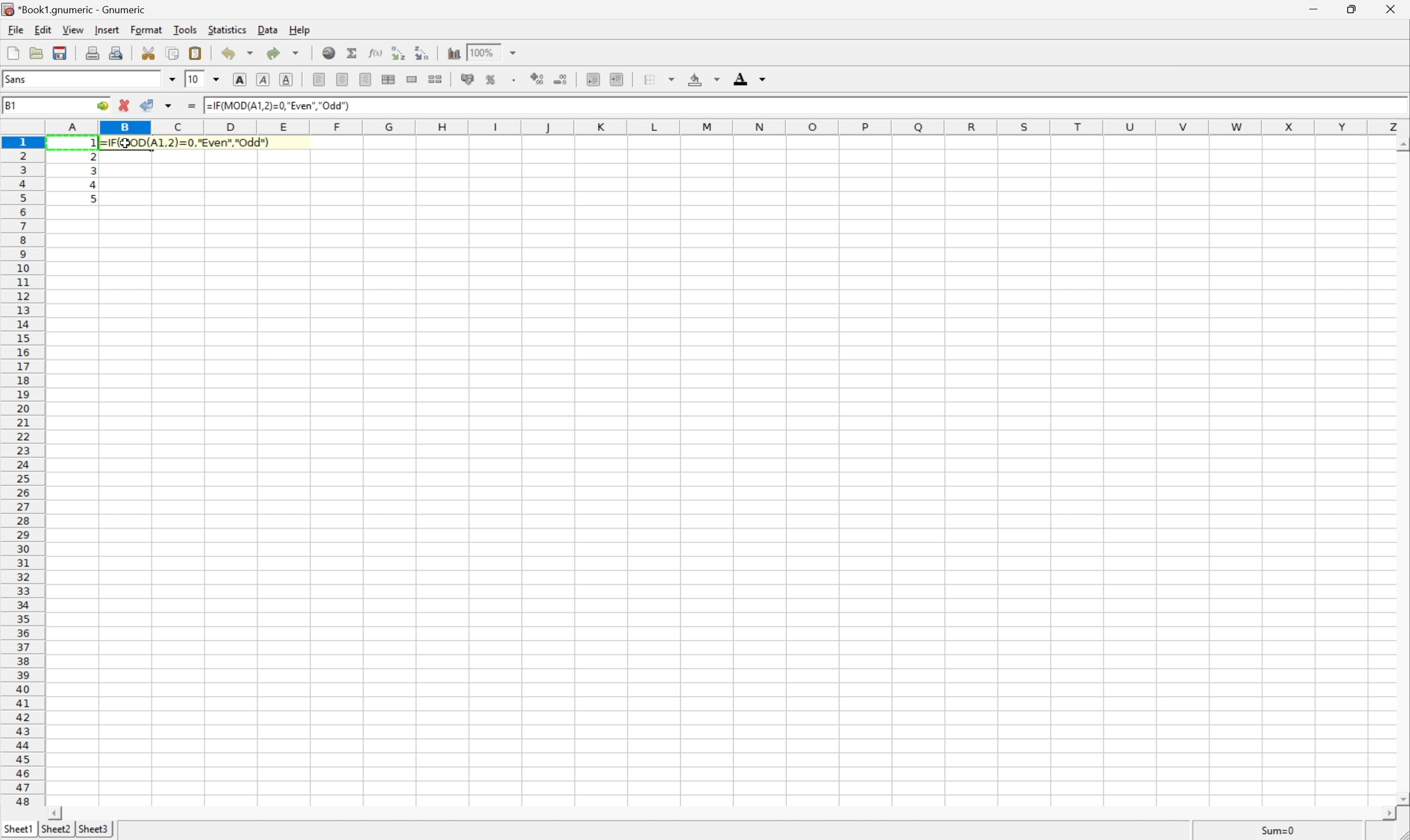 The width and height of the screenshot is (1410, 840). Describe the element at coordinates (147, 52) in the screenshot. I see `Cut selection` at that location.